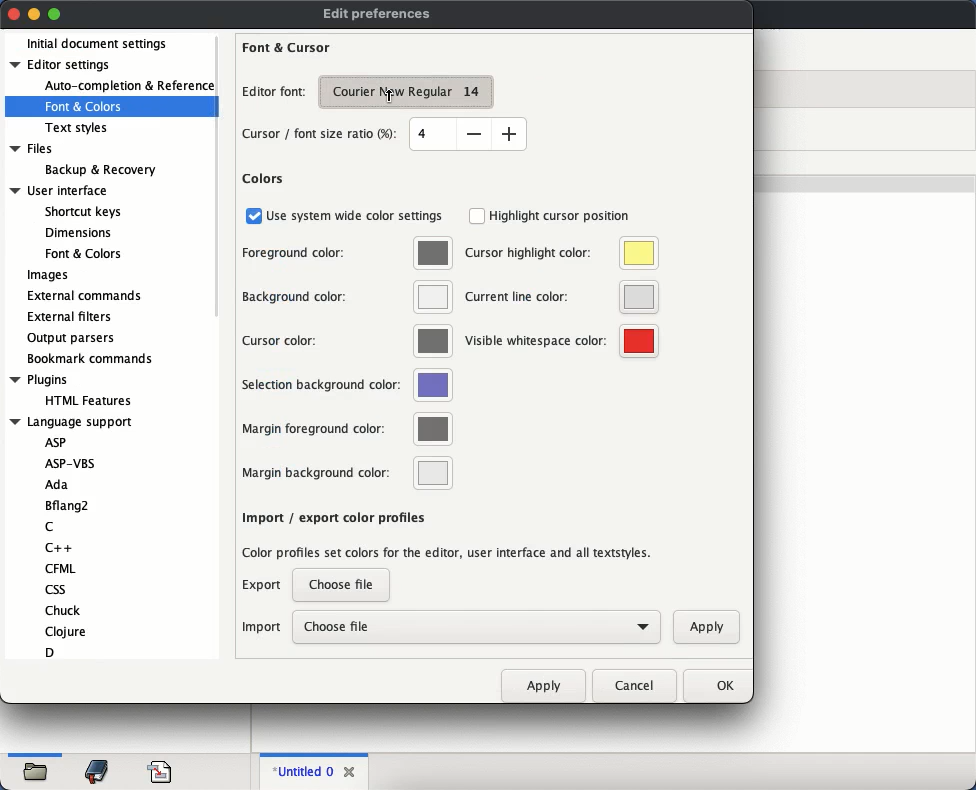 This screenshot has height=790, width=976. I want to click on images, so click(48, 276).